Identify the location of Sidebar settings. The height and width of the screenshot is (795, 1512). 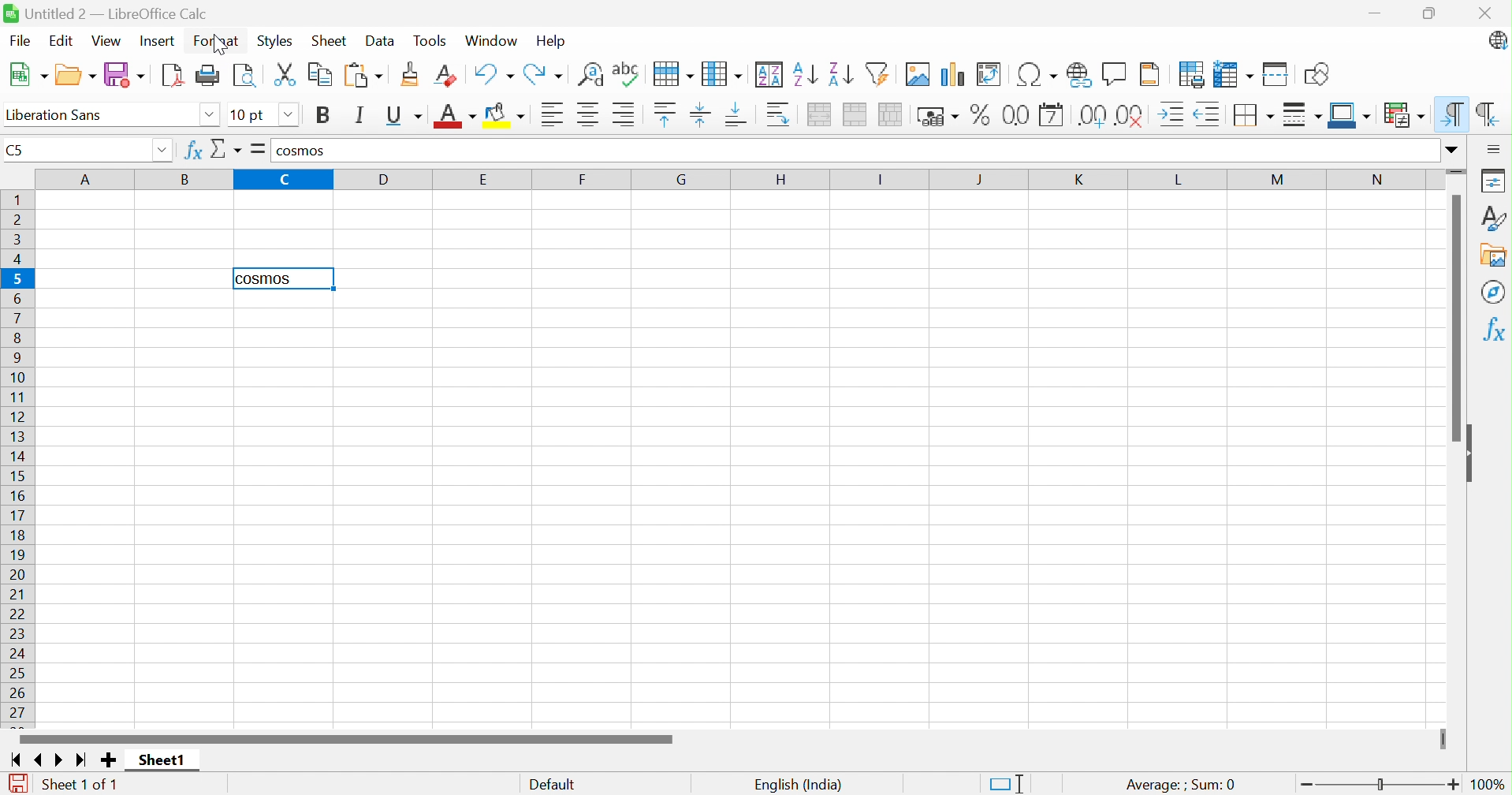
(1491, 149).